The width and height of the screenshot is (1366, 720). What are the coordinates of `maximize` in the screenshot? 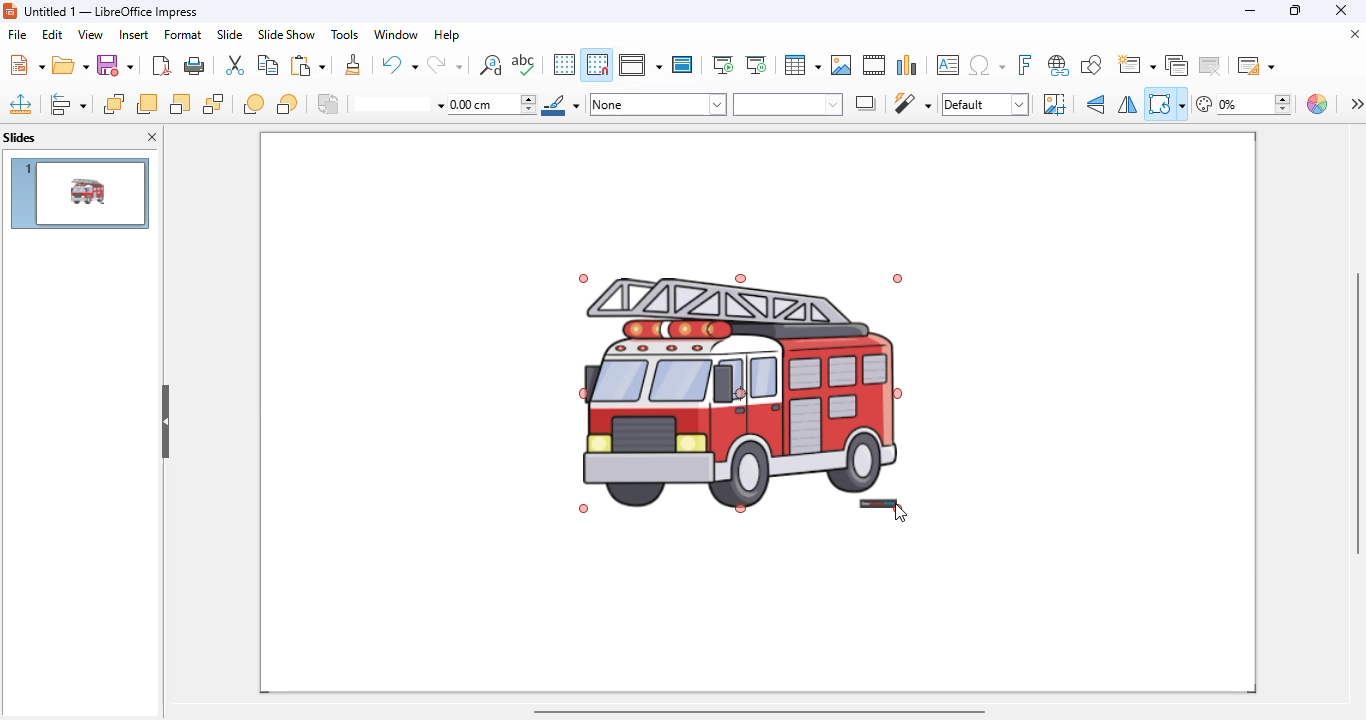 It's located at (1294, 10).